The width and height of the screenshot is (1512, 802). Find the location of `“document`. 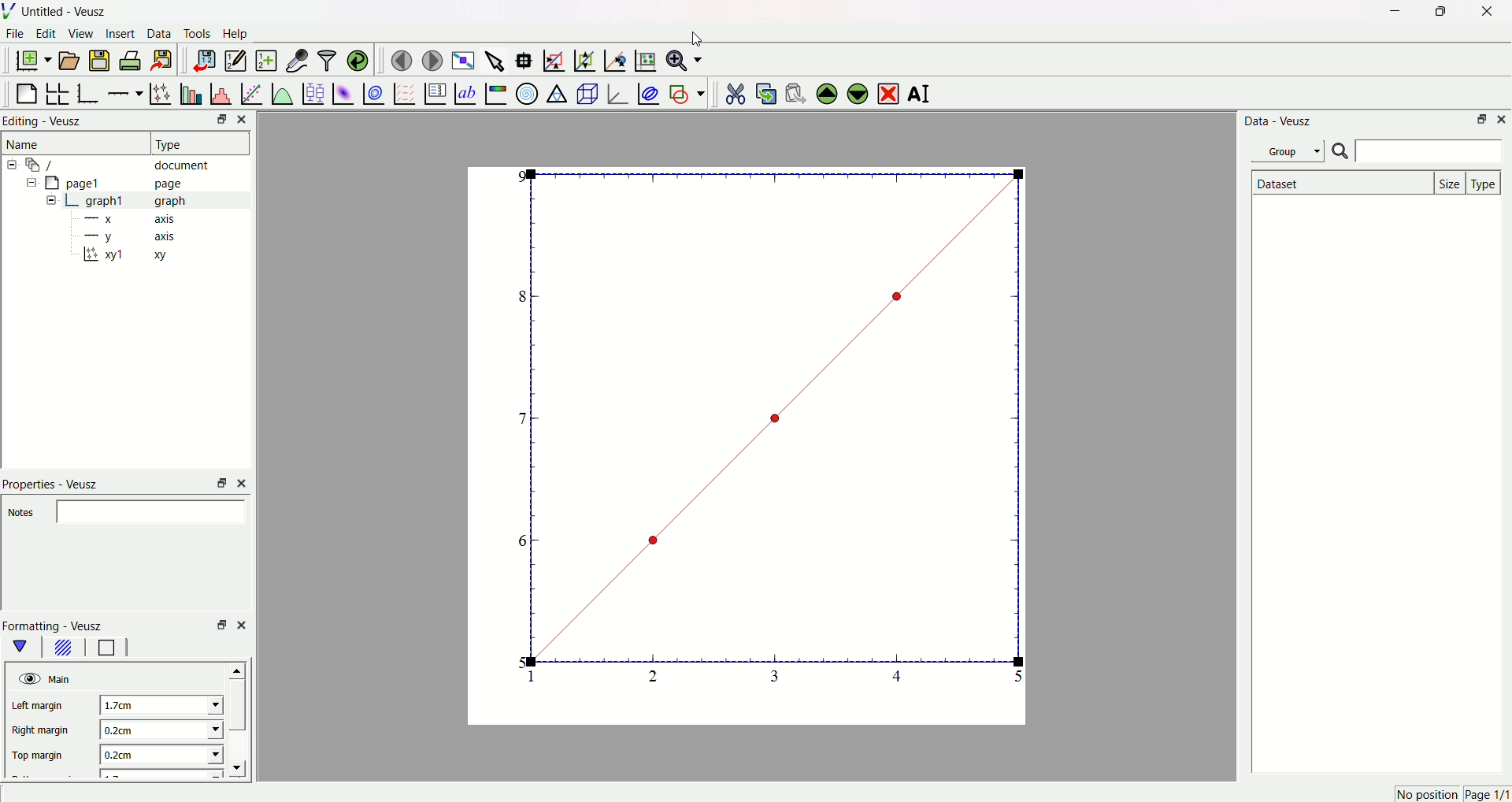

“document is located at coordinates (125, 164).